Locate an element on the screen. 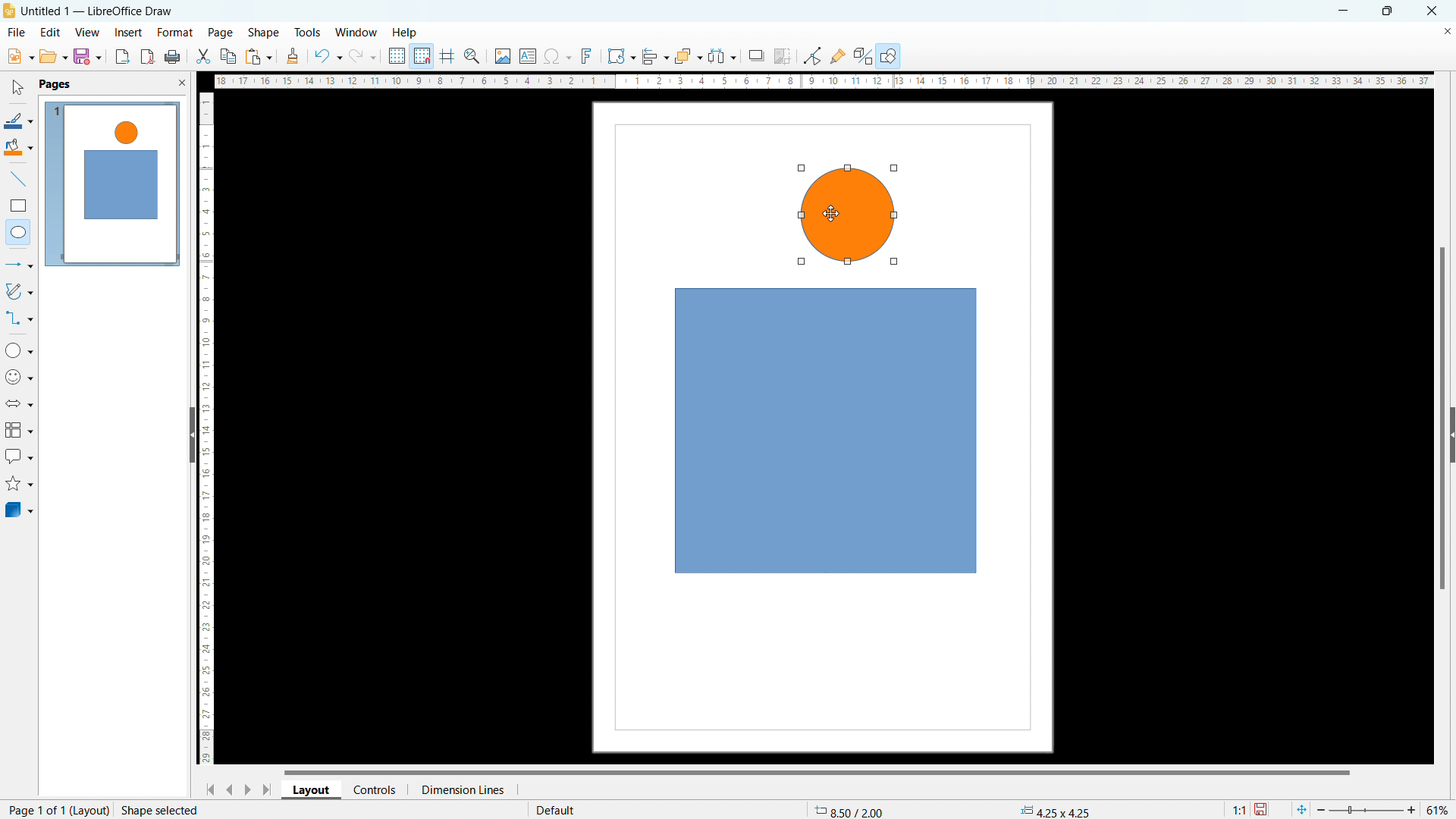 The width and height of the screenshot is (1456, 819). paste is located at coordinates (259, 56).